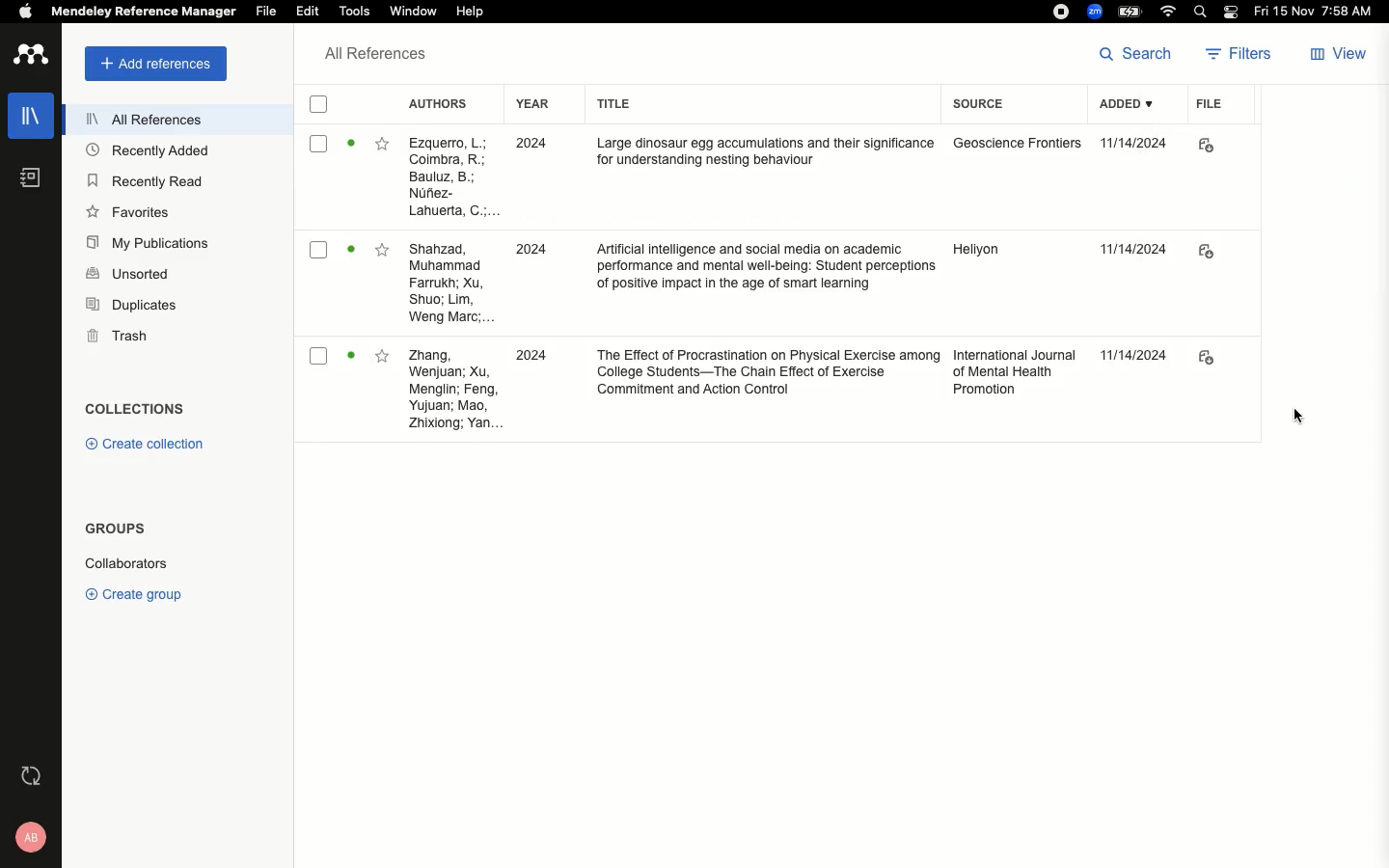 The height and width of the screenshot is (868, 1389). What do you see at coordinates (765, 152) in the screenshot?
I see `Large dinosaur egg accumulations and their significance
for understanding nesting behaviour` at bounding box center [765, 152].